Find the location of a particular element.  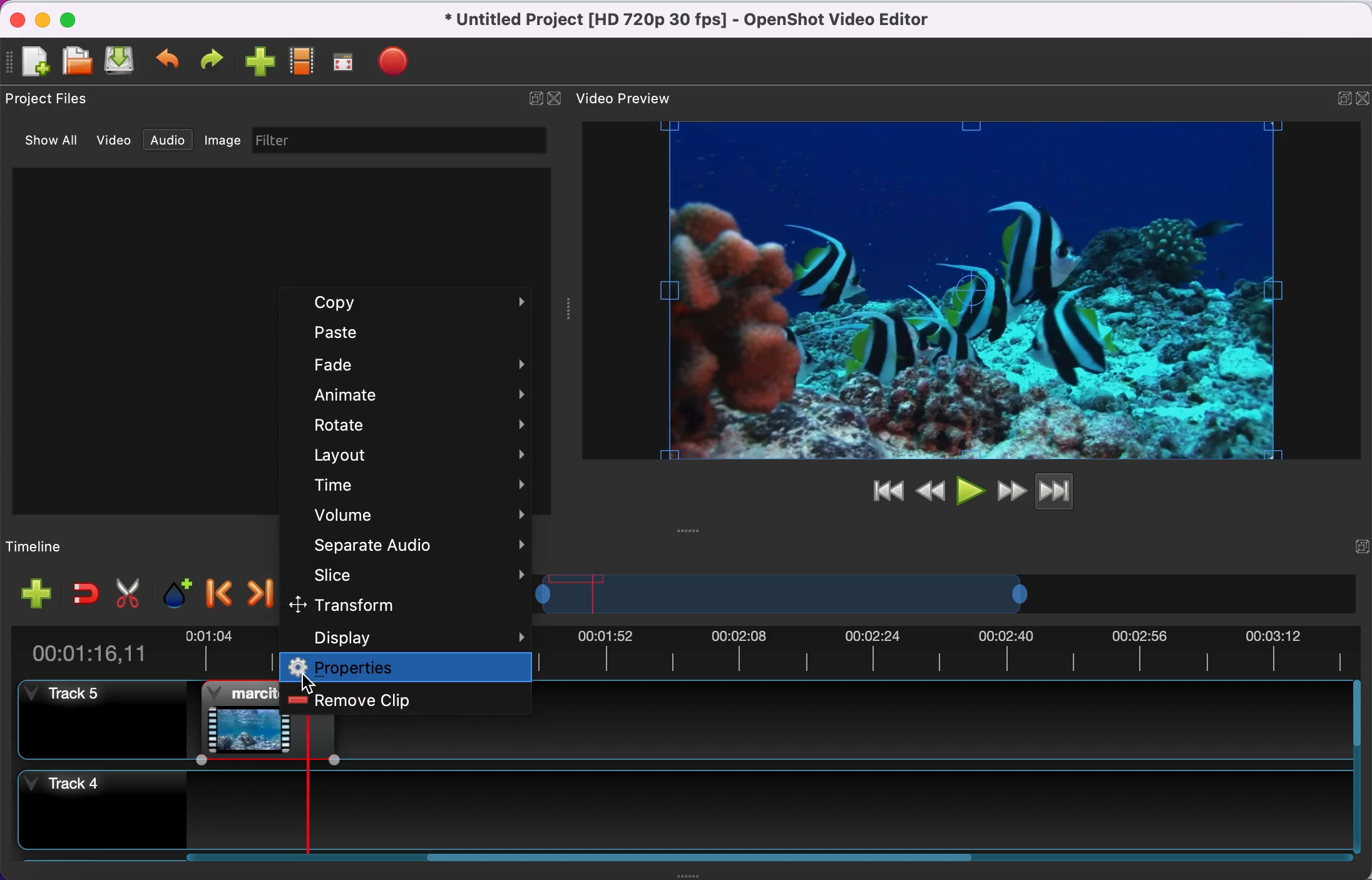

fade is located at coordinates (421, 364).